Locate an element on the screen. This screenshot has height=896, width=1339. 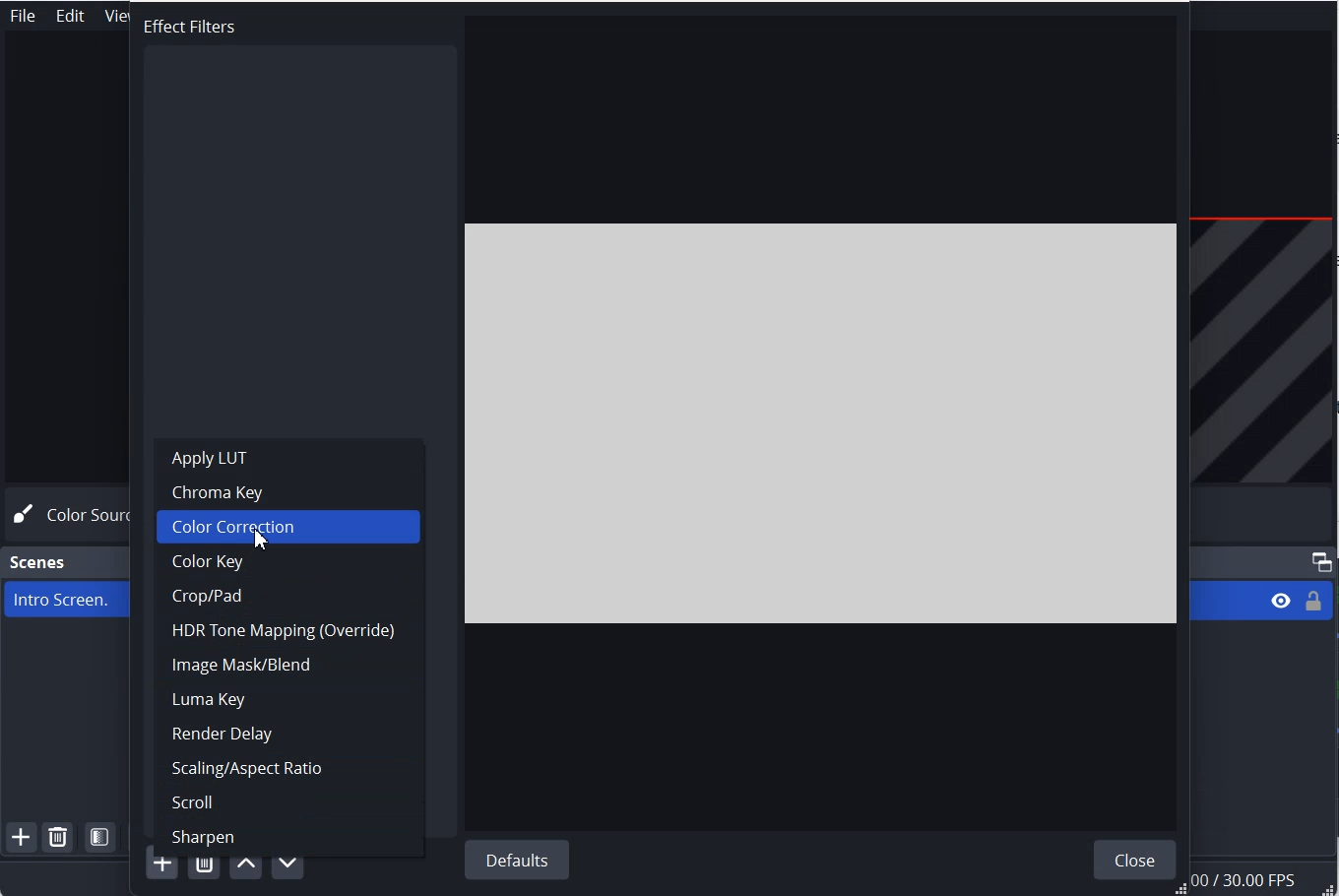
HDR Tone Mapping is located at coordinates (287, 631).